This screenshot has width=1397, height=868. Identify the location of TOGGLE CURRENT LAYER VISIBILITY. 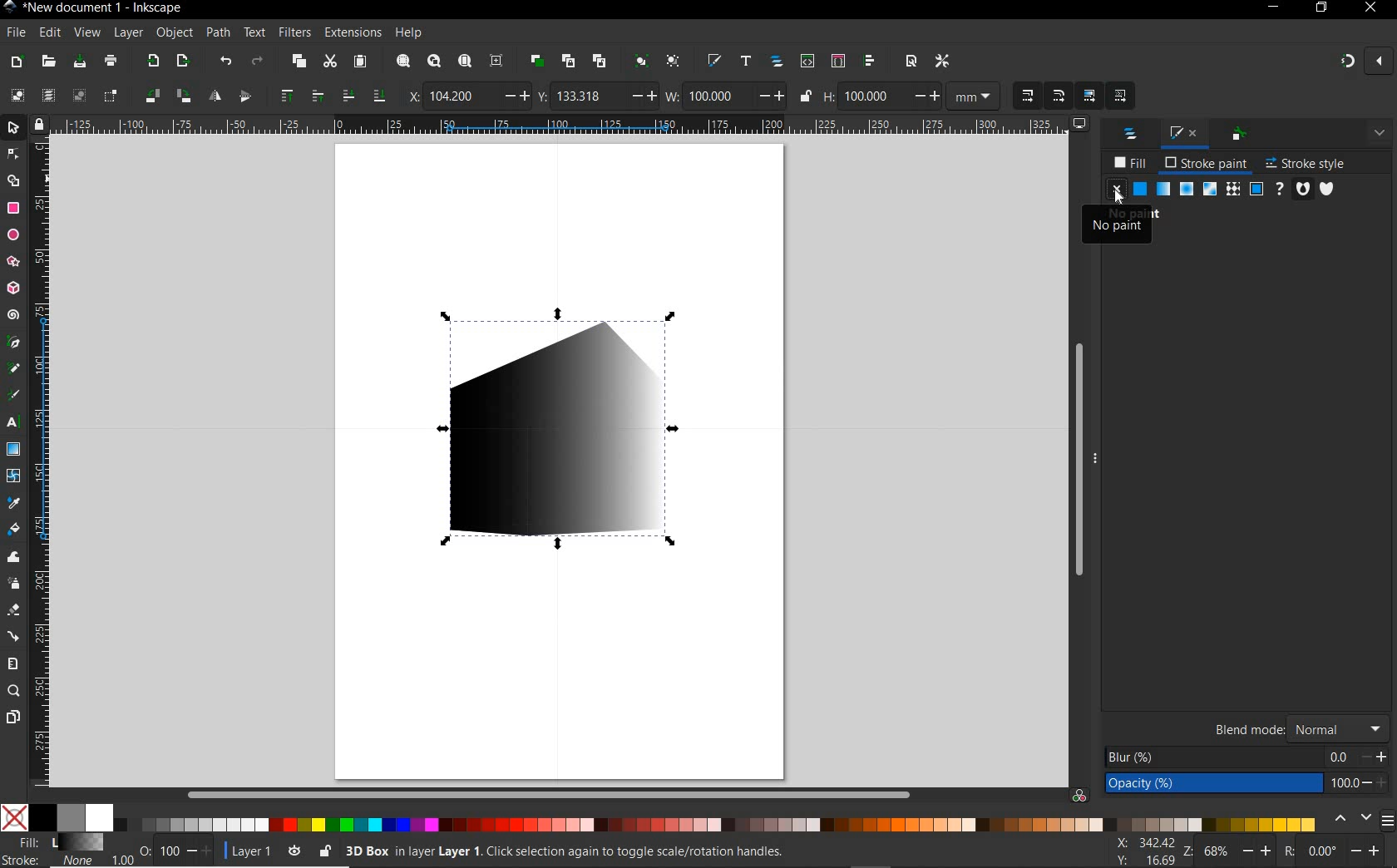
(292, 851).